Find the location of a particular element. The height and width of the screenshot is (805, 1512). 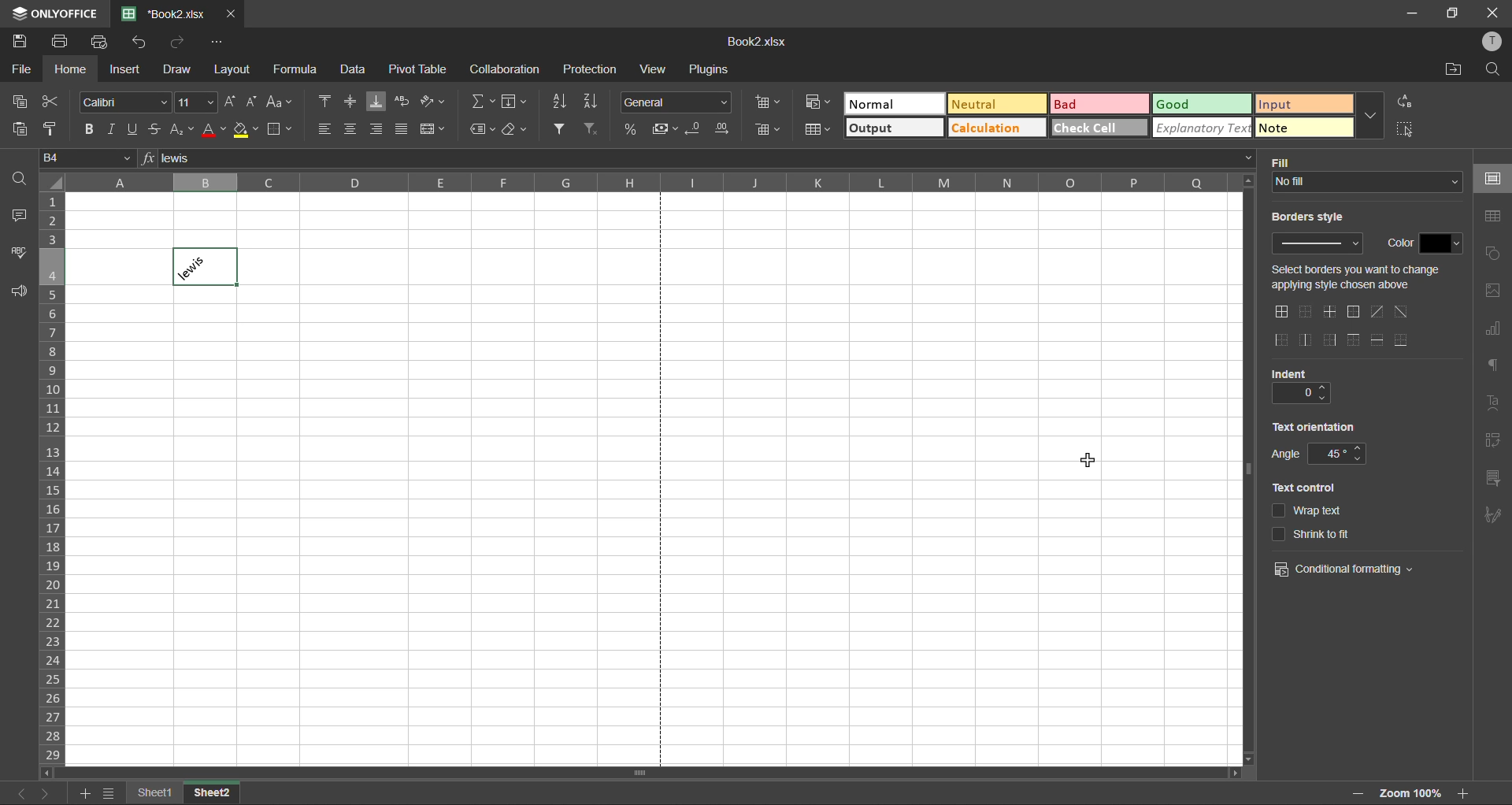

pivot table is located at coordinates (418, 68).